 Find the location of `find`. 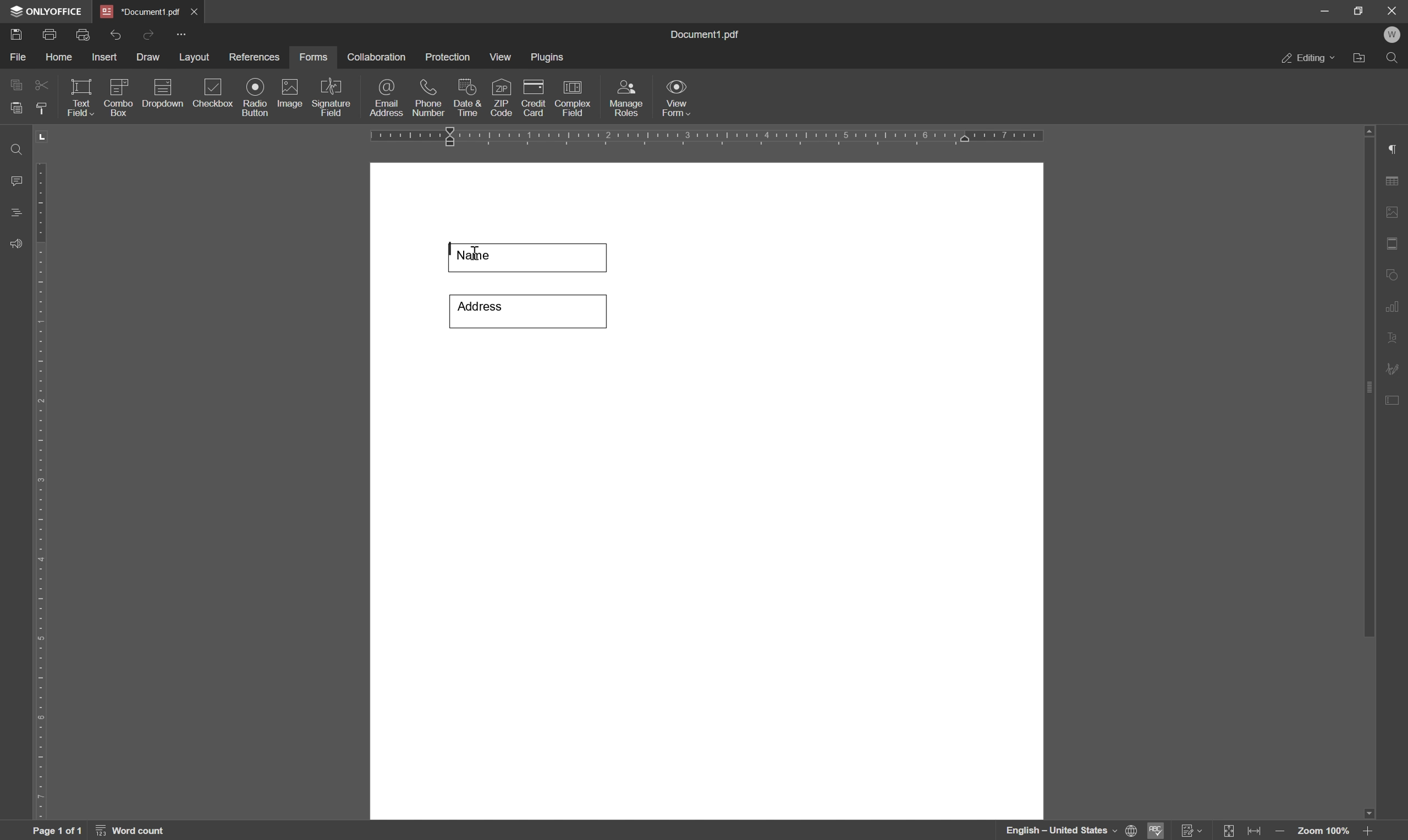

find is located at coordinates (14, 146).